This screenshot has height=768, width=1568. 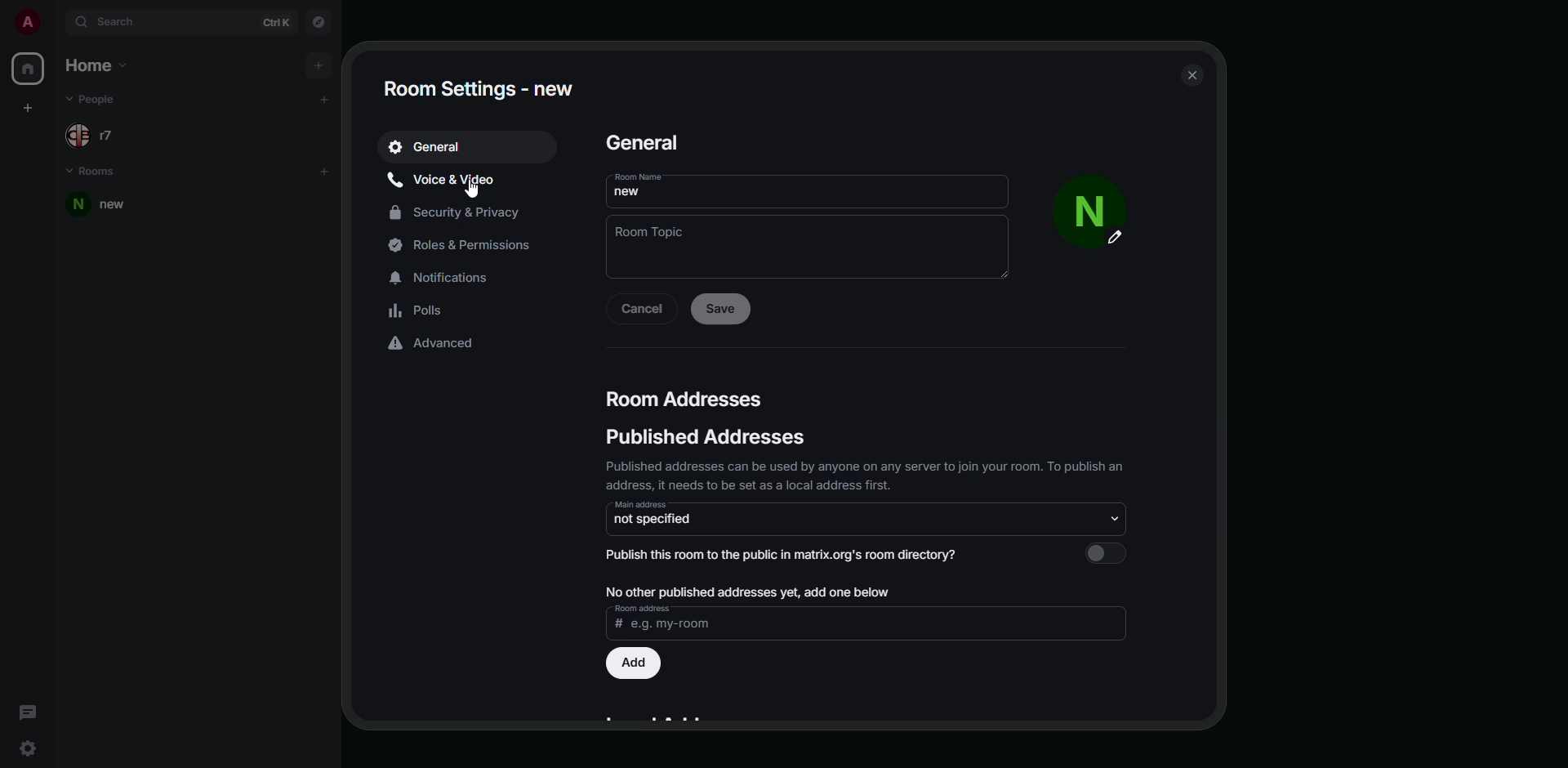 What do you see at coordinates (1193, 74) in the screenshot?
I see `close` at bounding box center [1193, 74].